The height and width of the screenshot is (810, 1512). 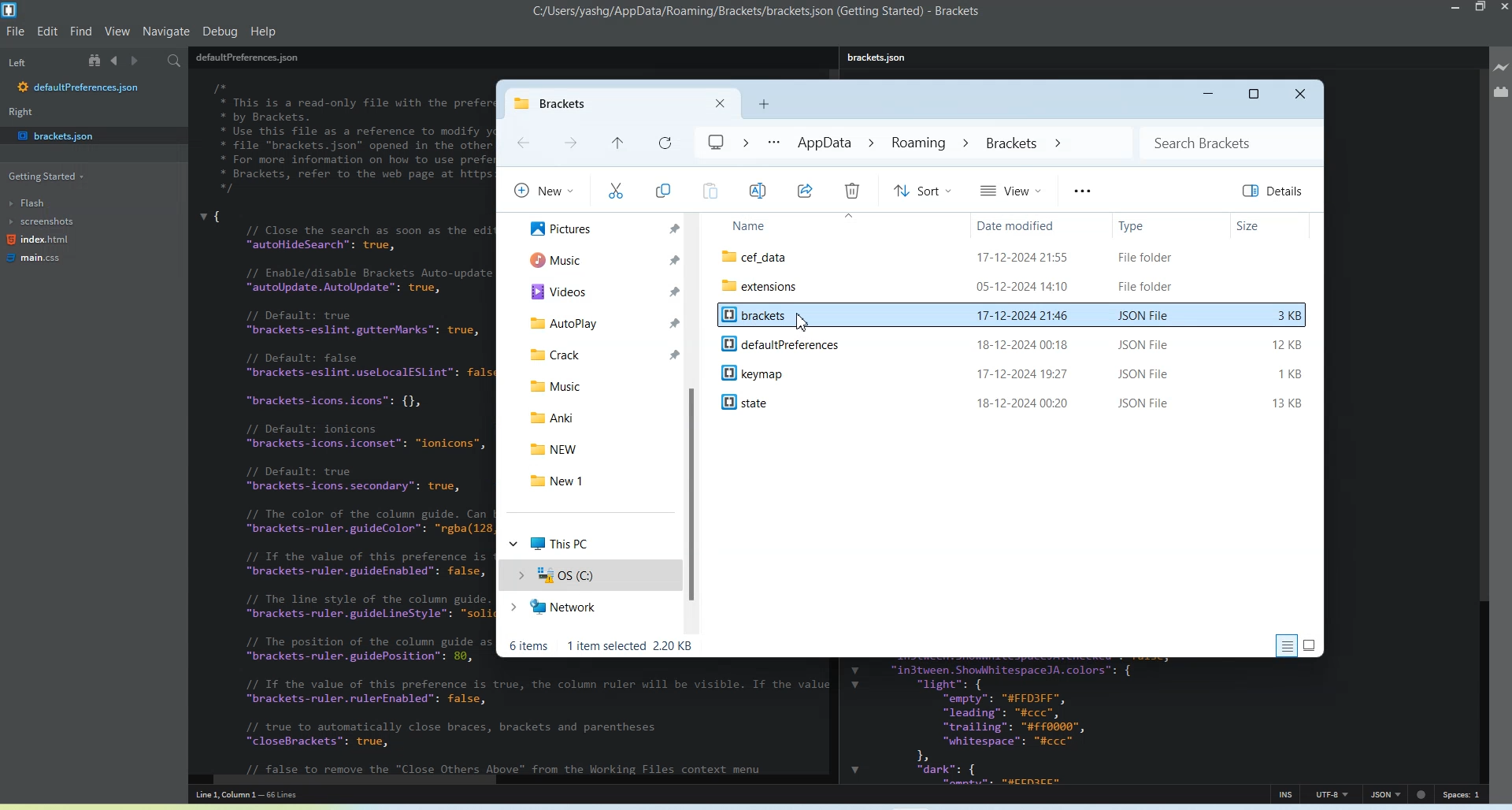 I want to click on Close, so click(x=721, y=103).